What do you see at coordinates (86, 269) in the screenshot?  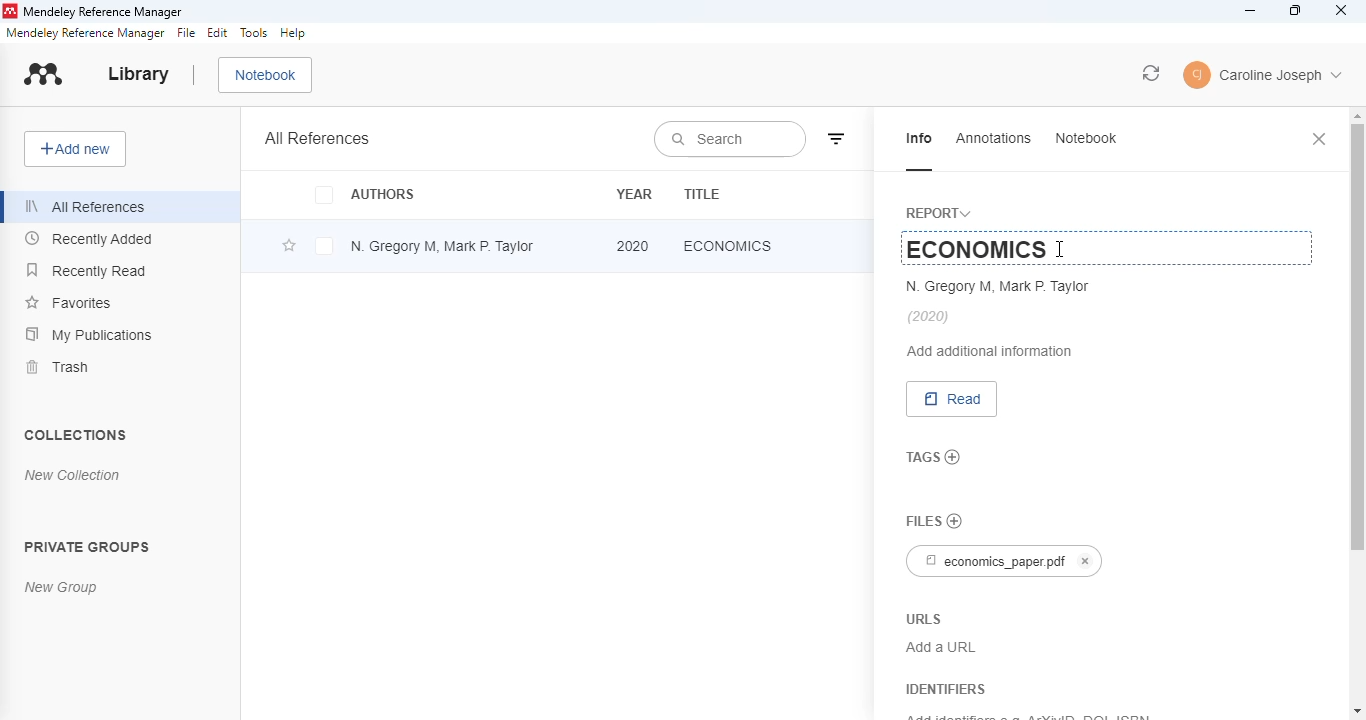 I see `recently read` at bounding box center [86, 269].